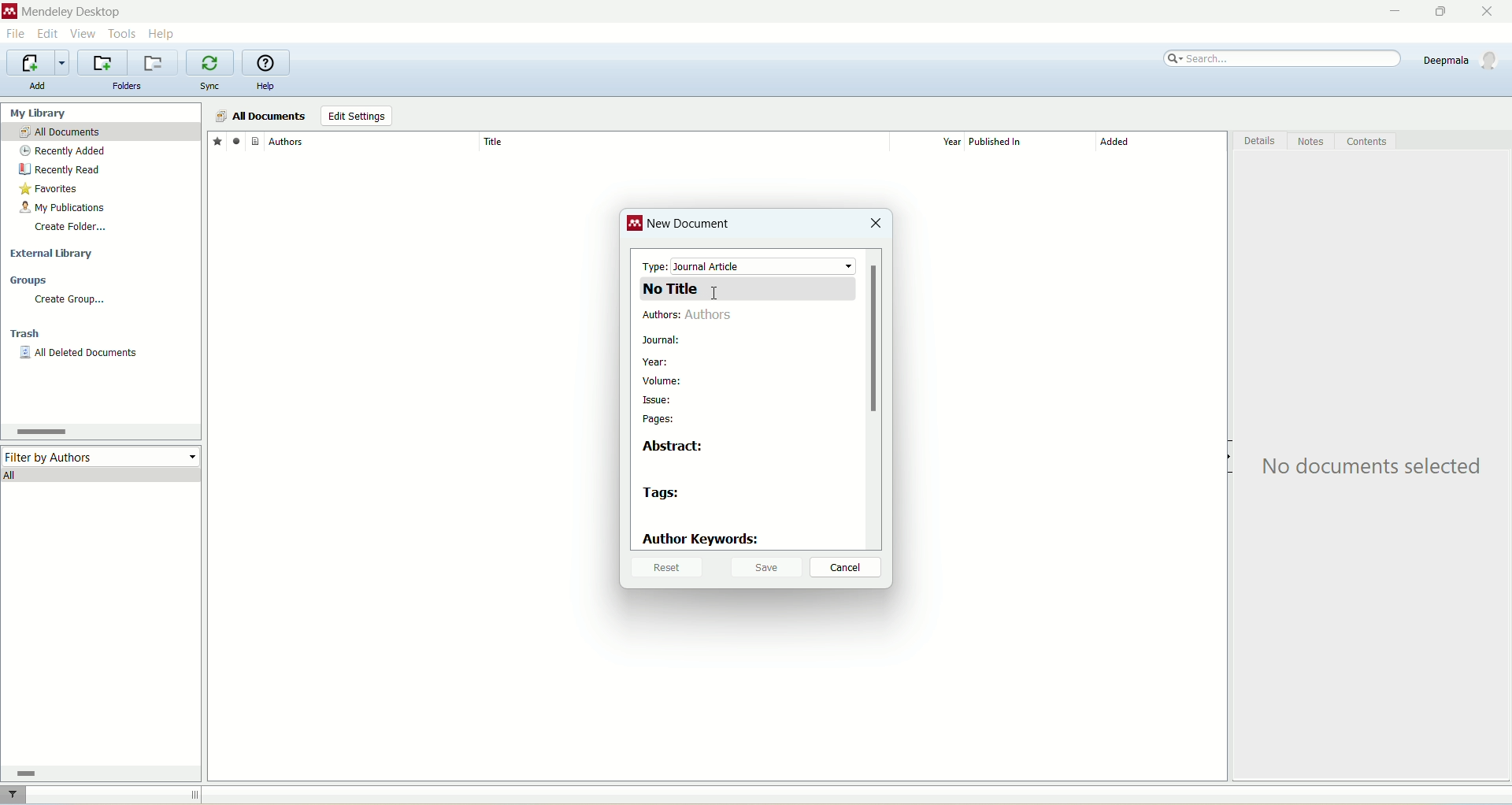 This screenshot has width=1512, height=805. What do you see at coordinates (37, 86) in the screenshot?
I see `add` at bounding box center [37, 86].